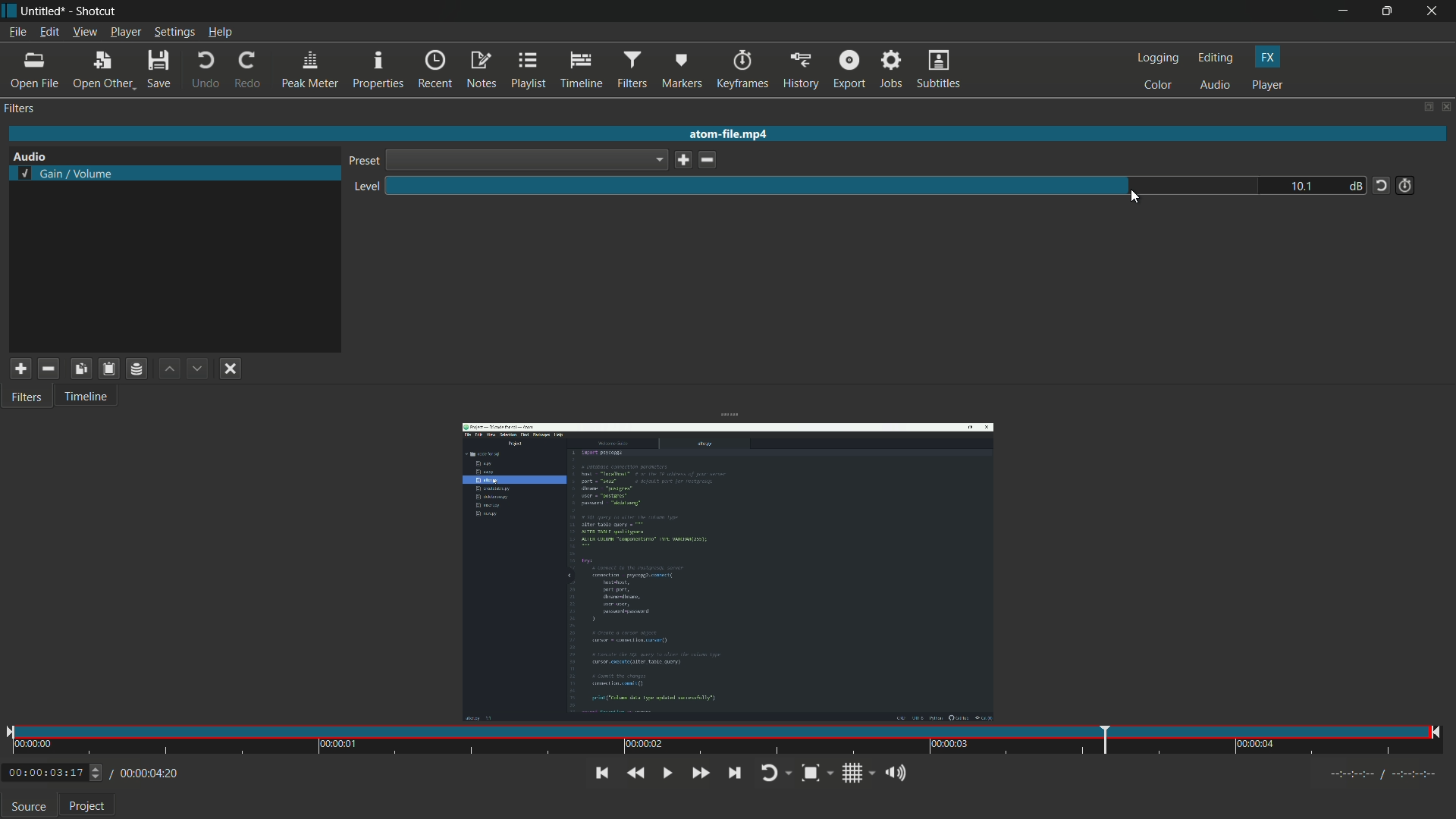 The width and height of the screenshot is (1456, 819). Describe the element at coordinates (726, 742) in the screenshot. I see `time and position` at that location.